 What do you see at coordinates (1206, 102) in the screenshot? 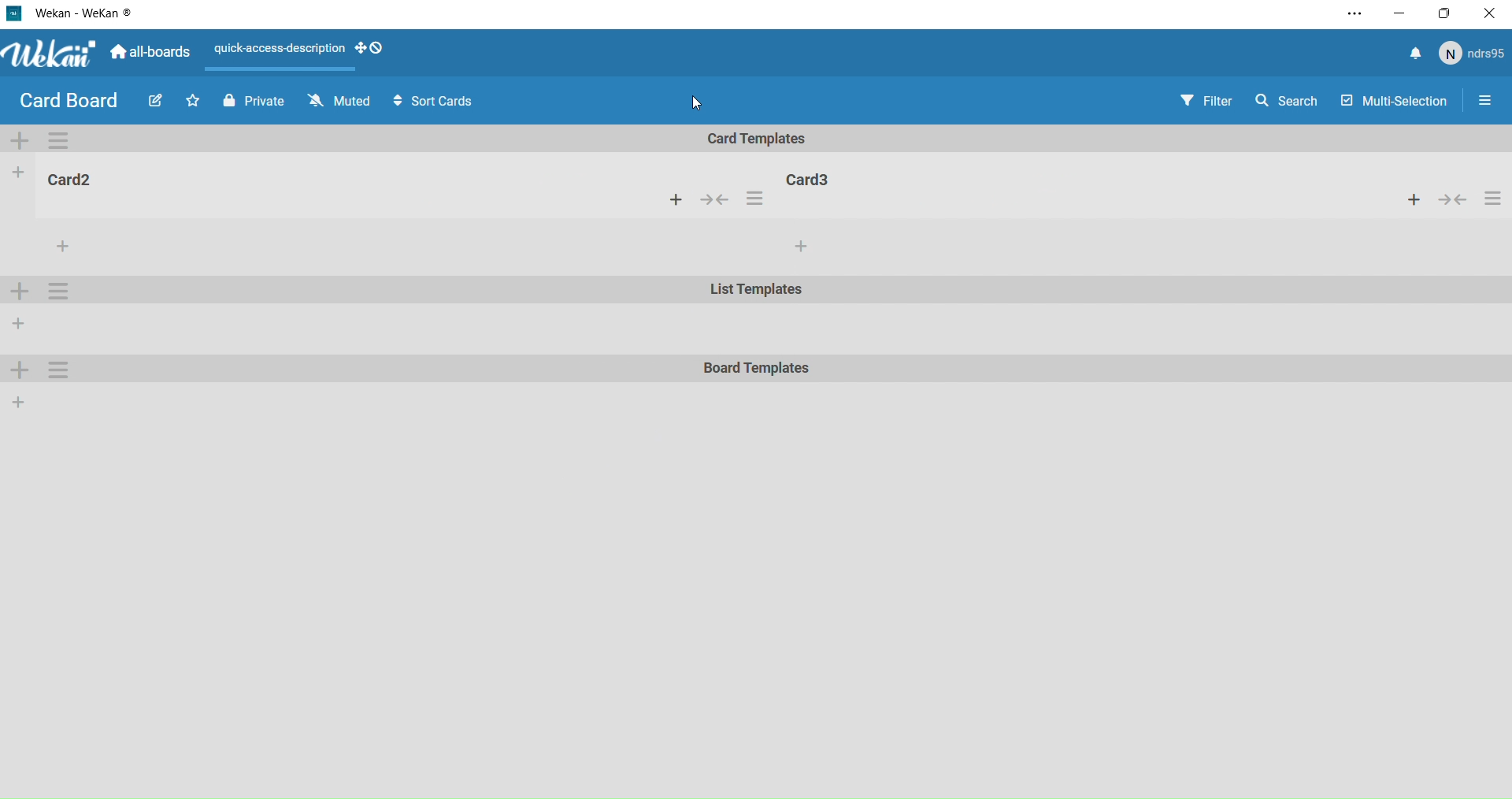
I see `Filter` at bounding box center [1206, 102].